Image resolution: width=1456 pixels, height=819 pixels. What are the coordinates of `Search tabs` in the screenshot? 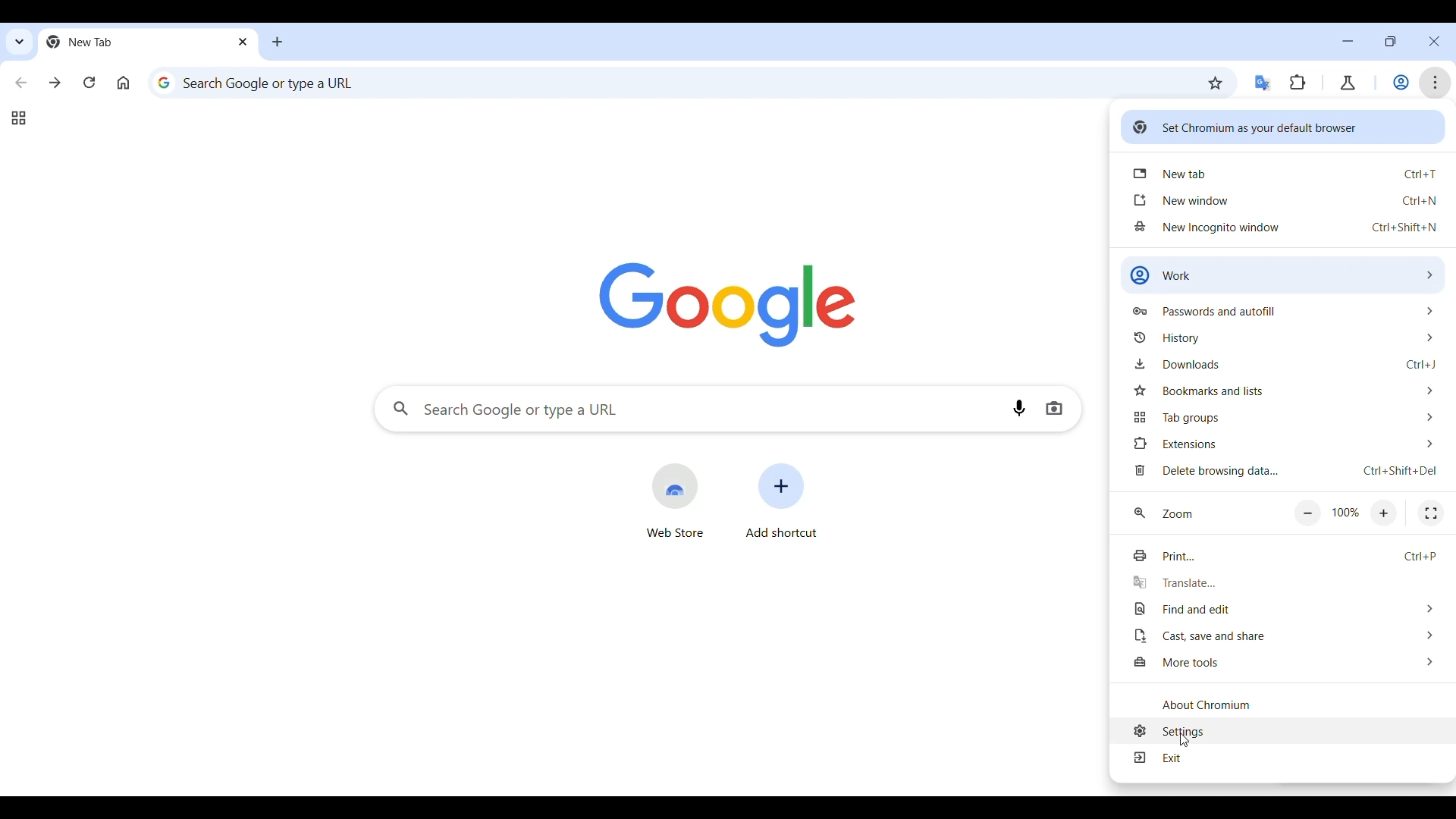 It's located at (20, 42).